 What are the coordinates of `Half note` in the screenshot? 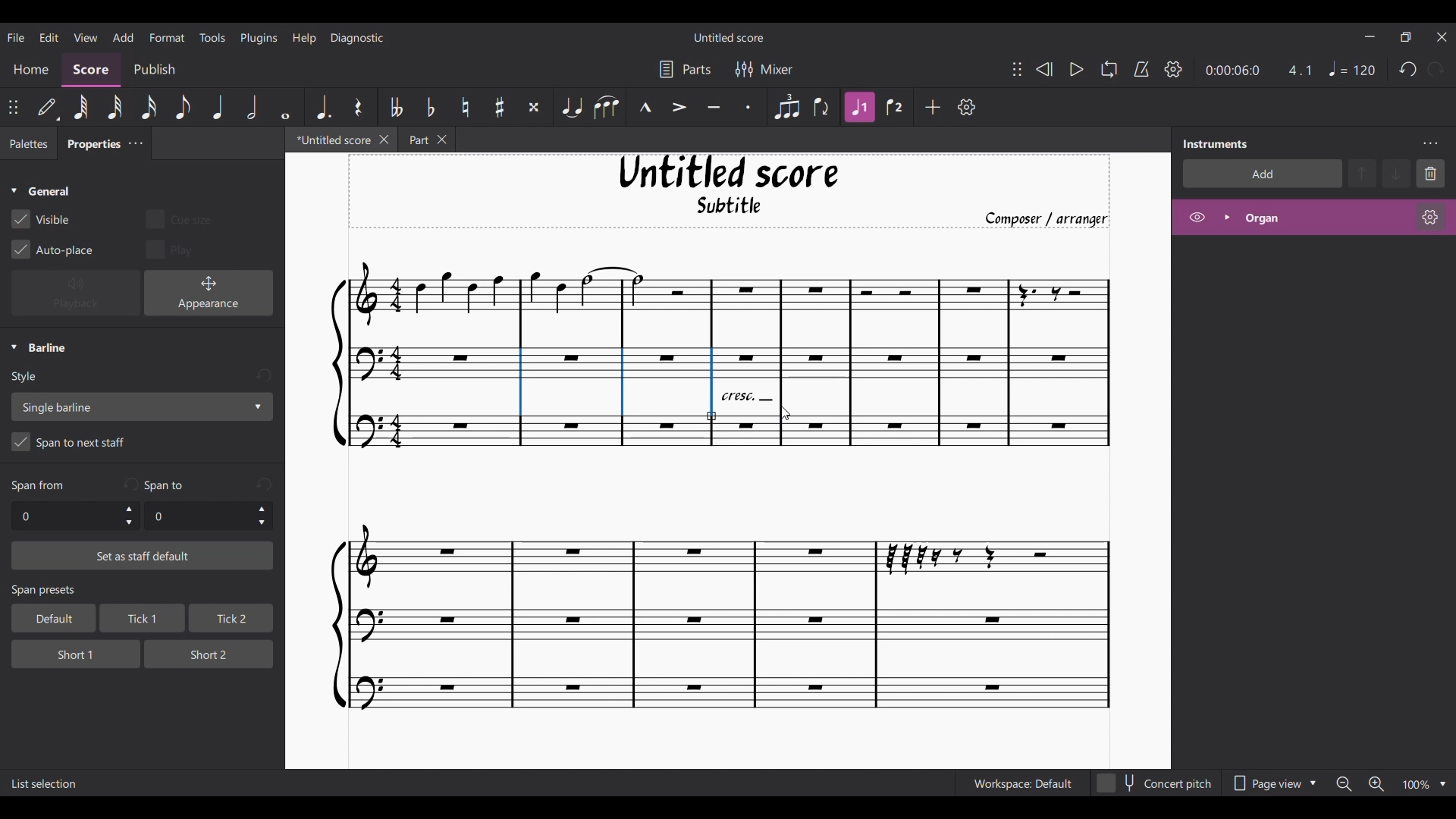 It's located at (253, 106).